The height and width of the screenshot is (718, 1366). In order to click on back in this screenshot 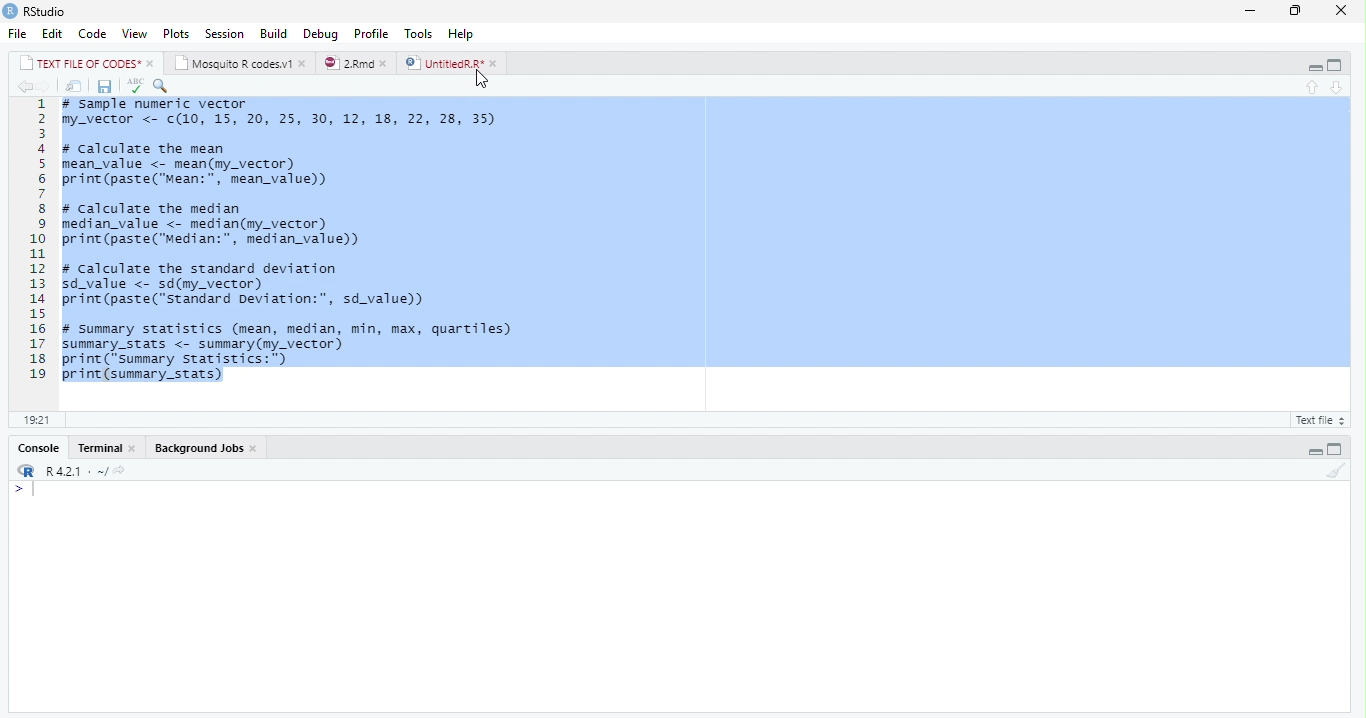, I will do `click(24, 87)`.